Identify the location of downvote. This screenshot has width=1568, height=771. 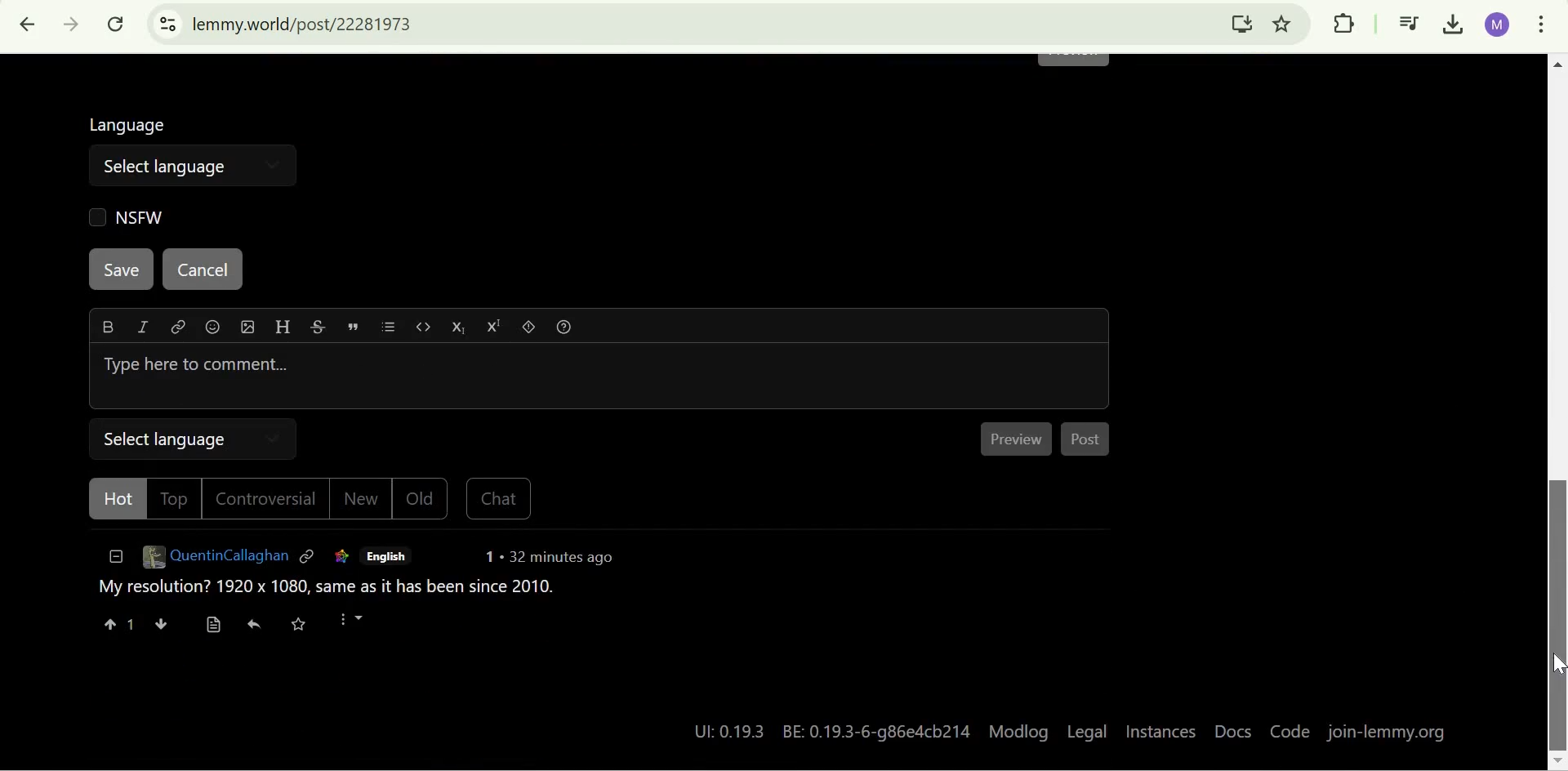
(160, 626).